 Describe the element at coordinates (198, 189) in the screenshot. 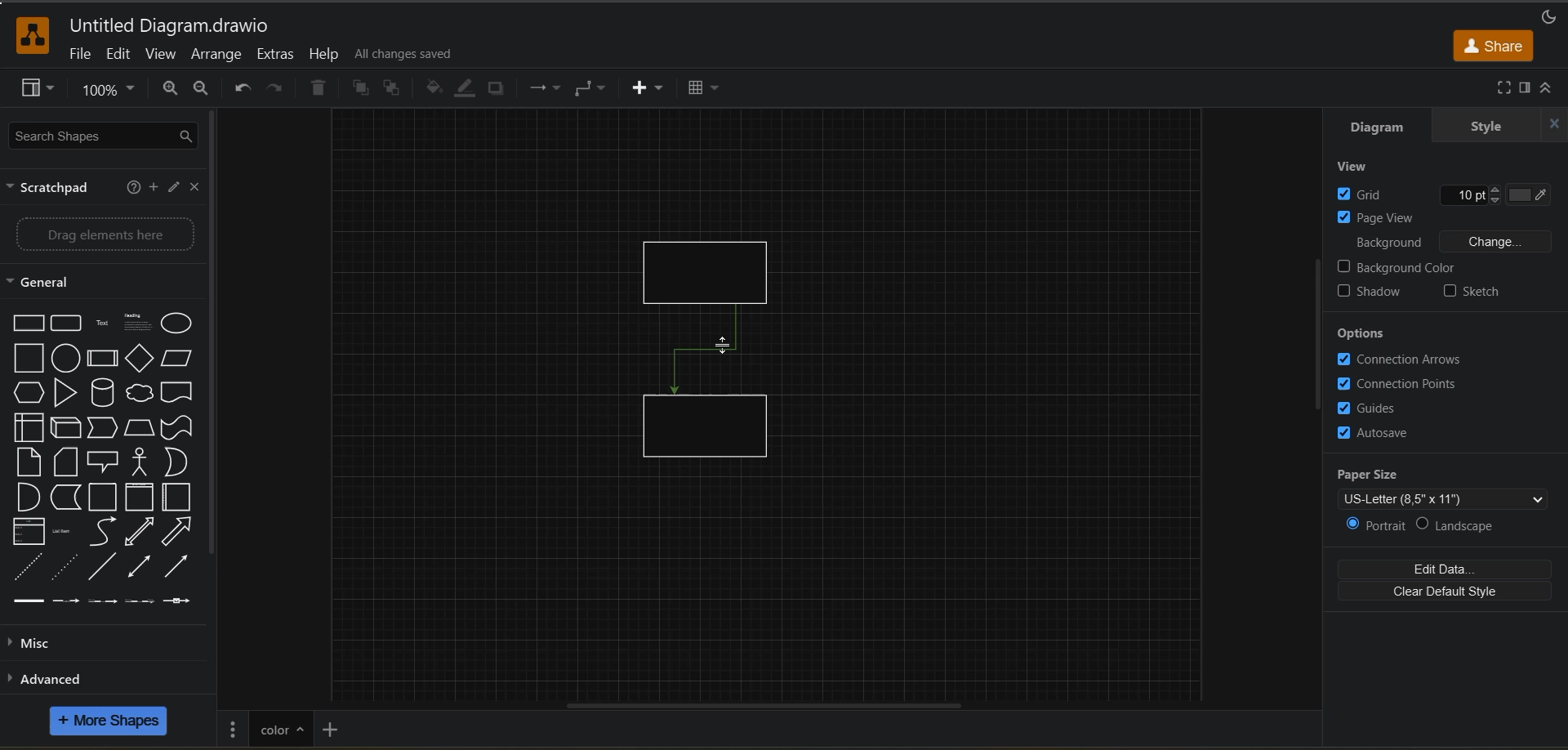

I see `close` at that location.